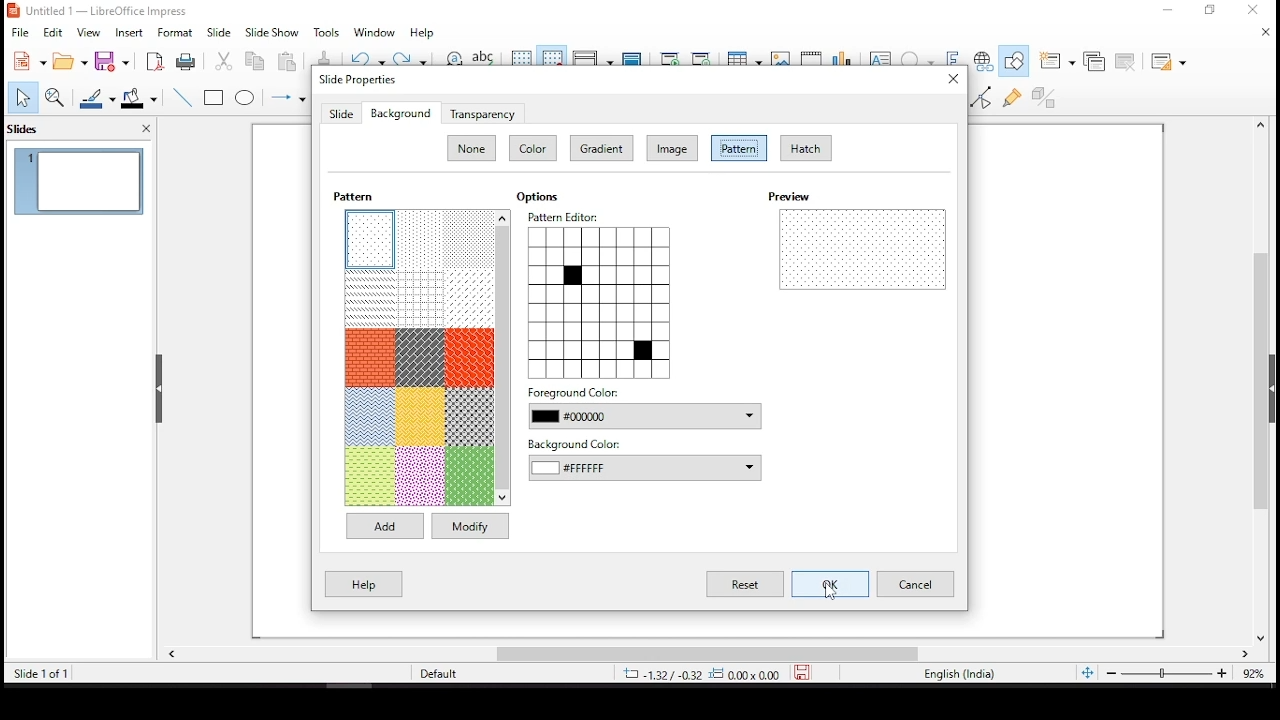  What do you see at coordinates (214, 97) in the screenshot?
I see `rectangle` at bounding box center [214, 97].